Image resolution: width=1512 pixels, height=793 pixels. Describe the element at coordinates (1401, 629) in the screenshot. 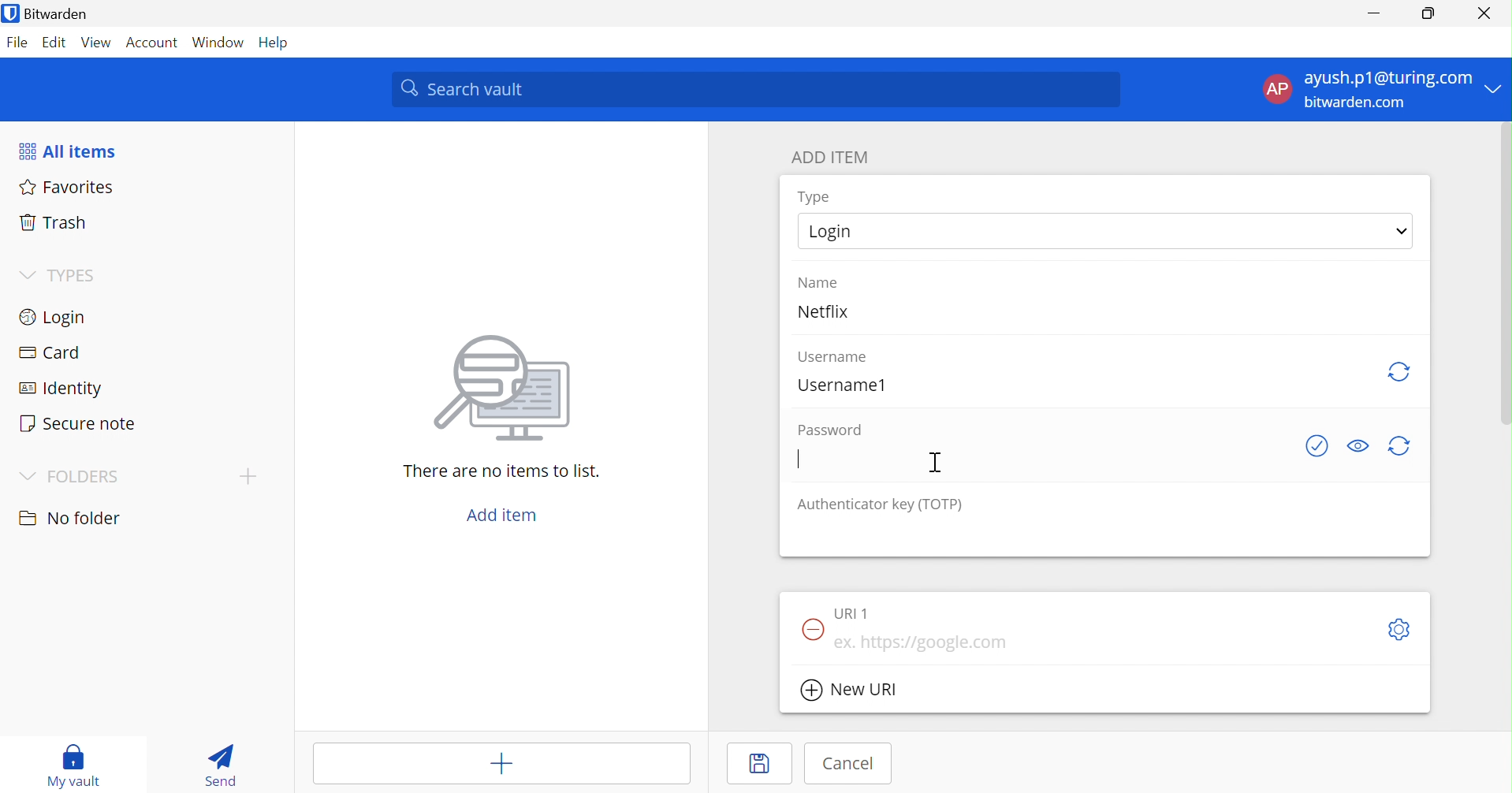

I see `Toggle options` at that location.